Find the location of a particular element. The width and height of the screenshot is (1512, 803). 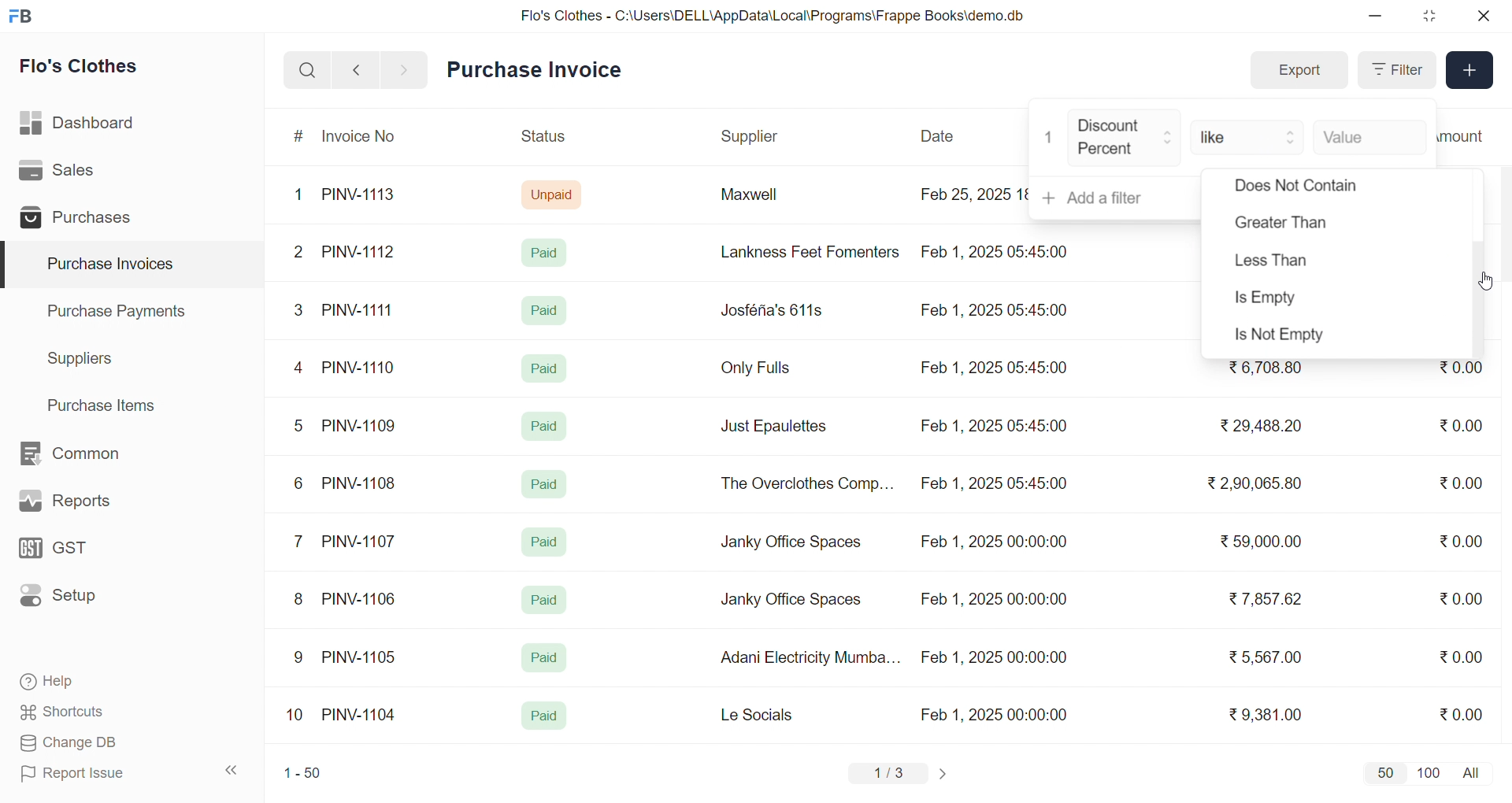

collapse sidebar is located at coordinates (232, 771).